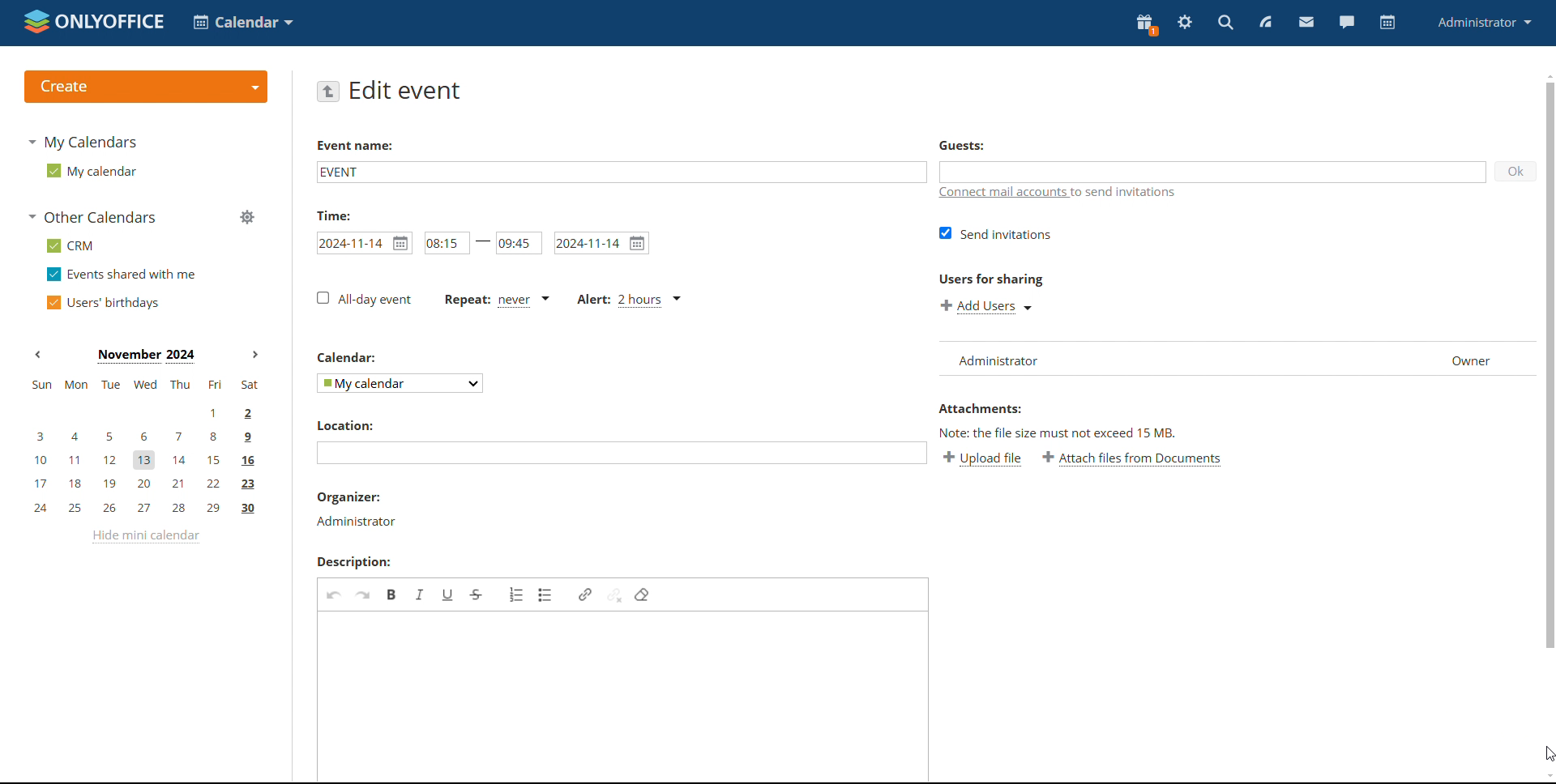 The image size is (1556, 784). I want to click on guest label, so click(971, 149).